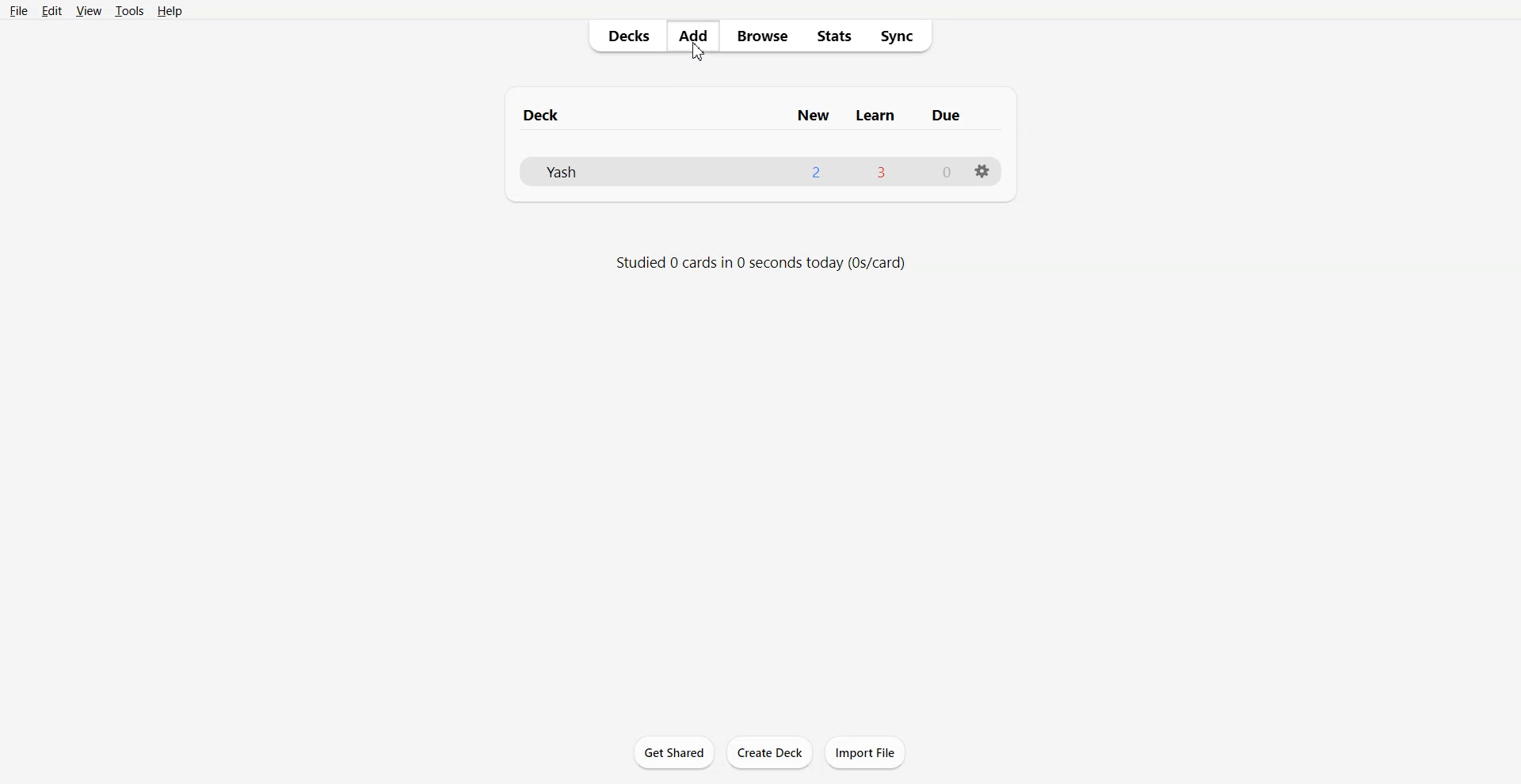  I want to click on Tools, so click(129, 10).